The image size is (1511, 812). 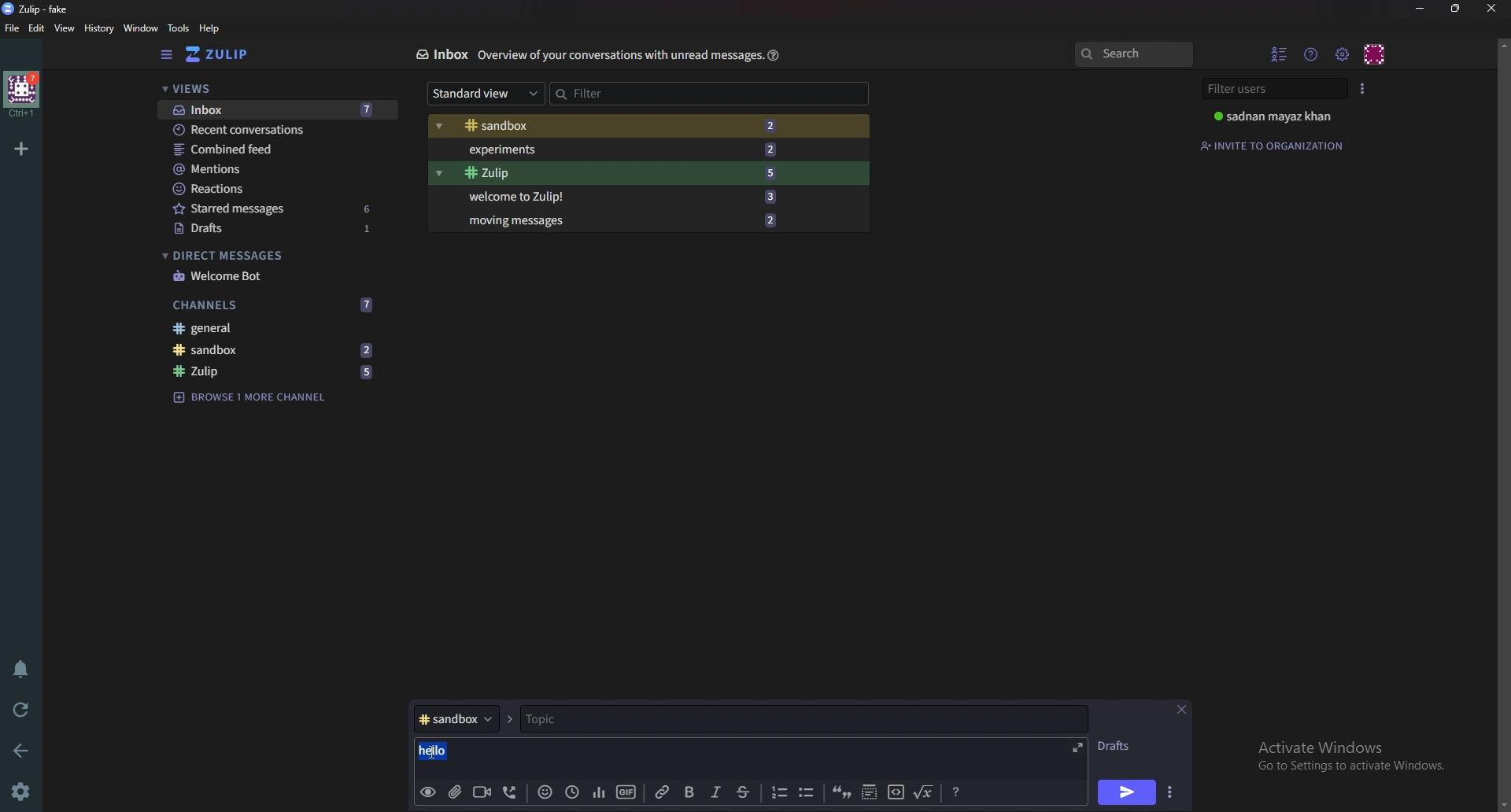 I want to click on Standard view, so click(x=485, y=92).